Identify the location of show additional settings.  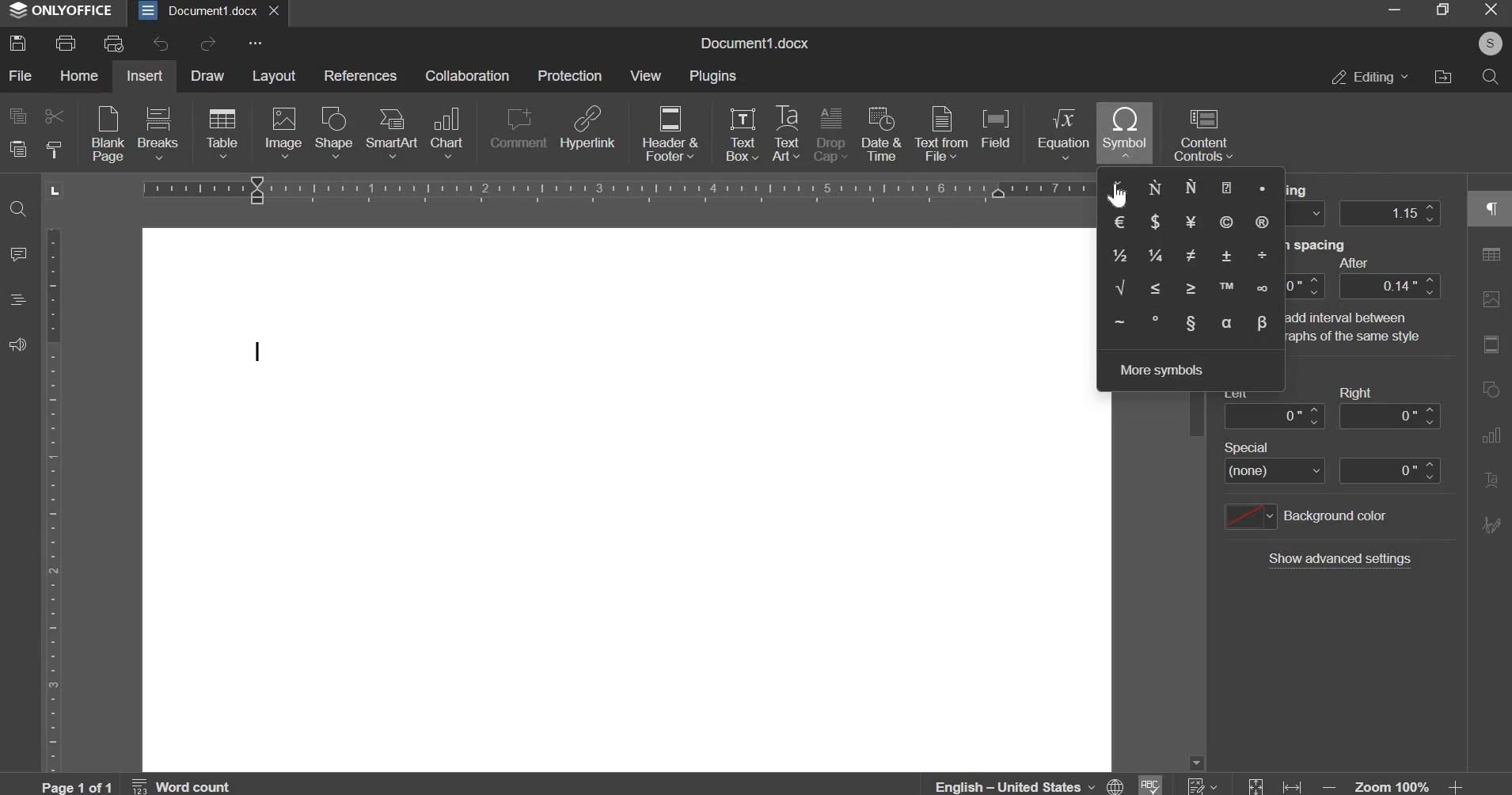
(1339, 559).